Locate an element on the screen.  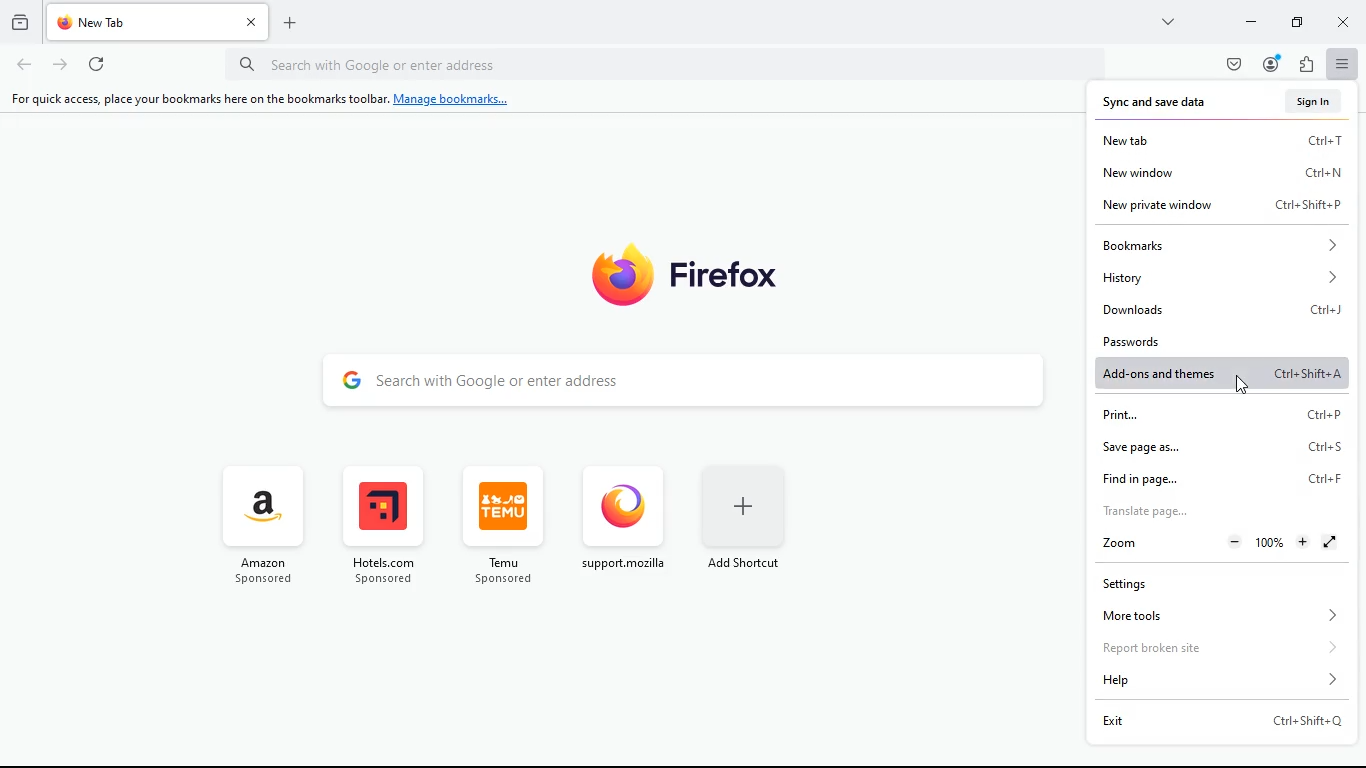
maximize is located at coordinates (1295, 22).